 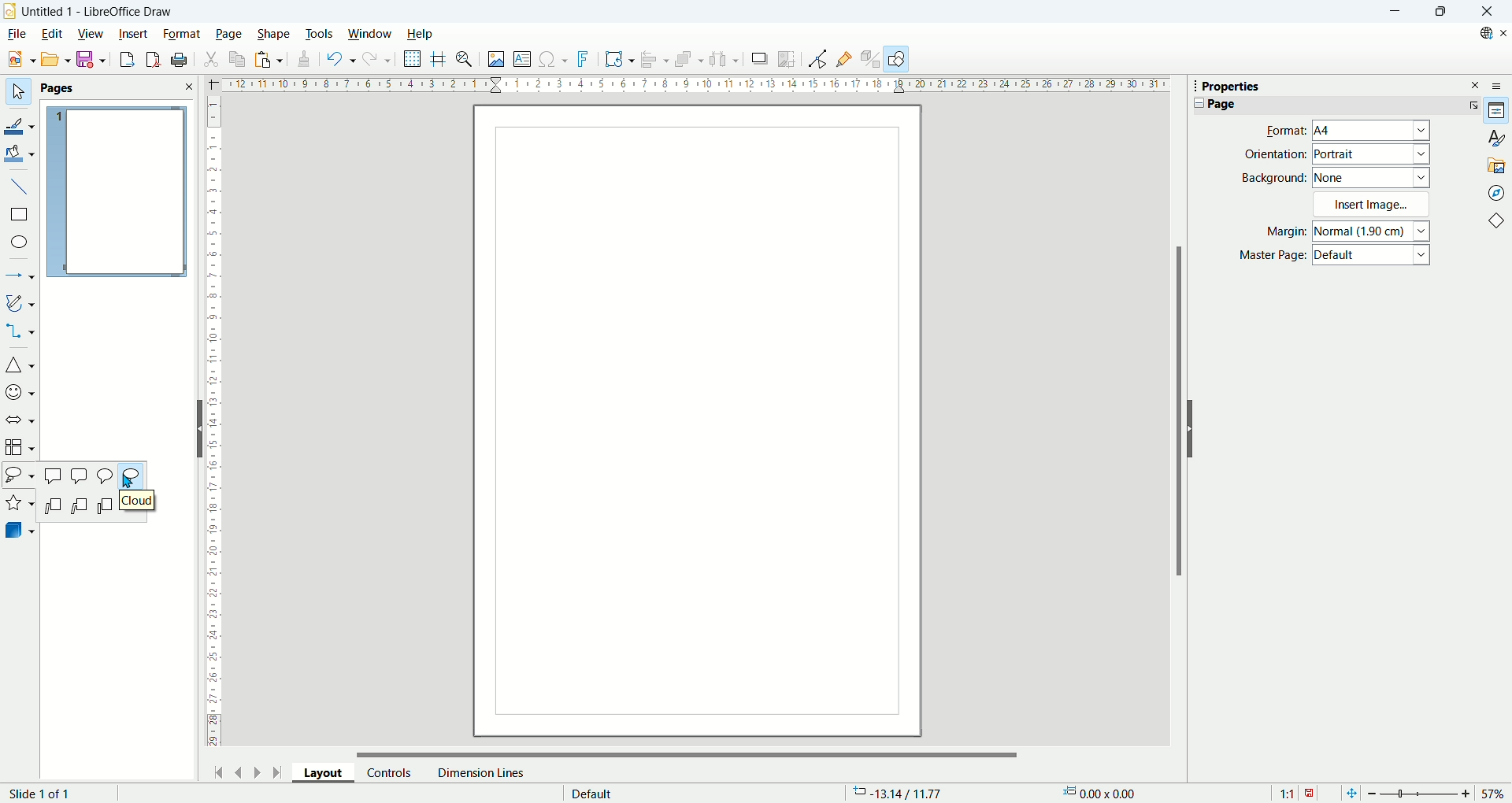 What do you see at coordinates (378, 62) in the screenshot?
I see `redo` at bounding box center [378, 62].